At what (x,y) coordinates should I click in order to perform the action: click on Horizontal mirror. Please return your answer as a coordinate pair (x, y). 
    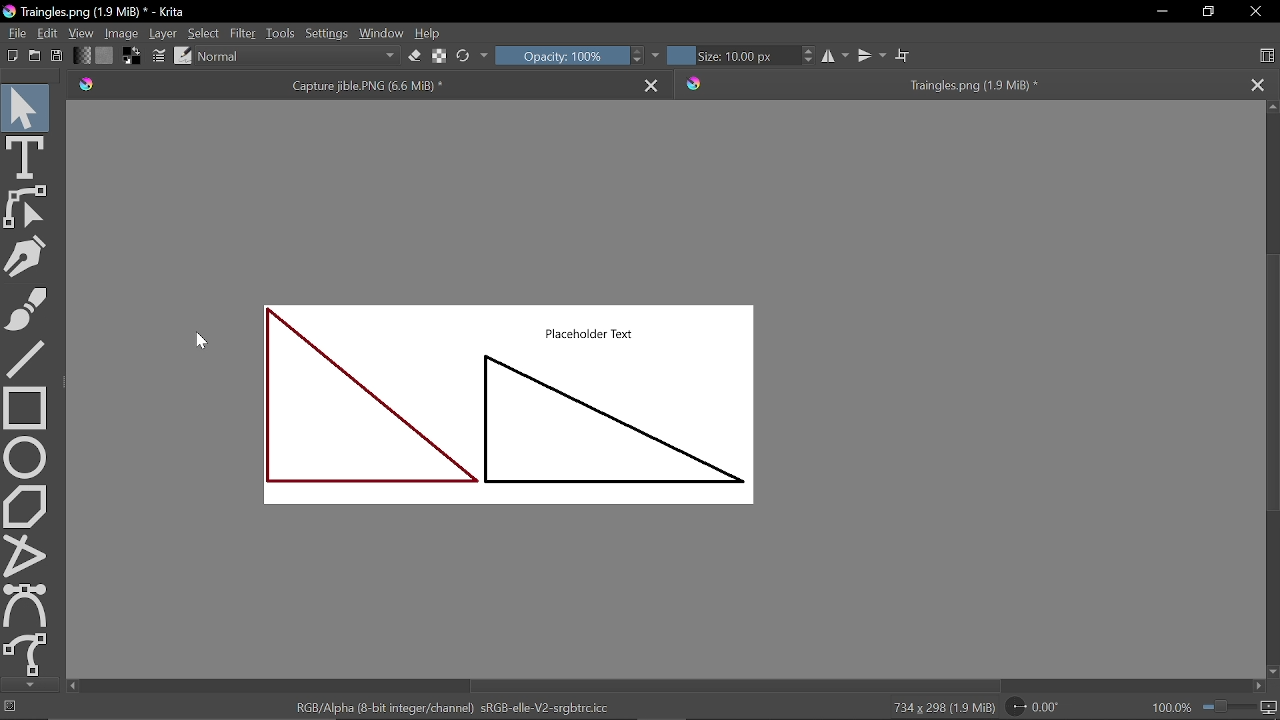
    Looking at the image, I should click on (836, 57).